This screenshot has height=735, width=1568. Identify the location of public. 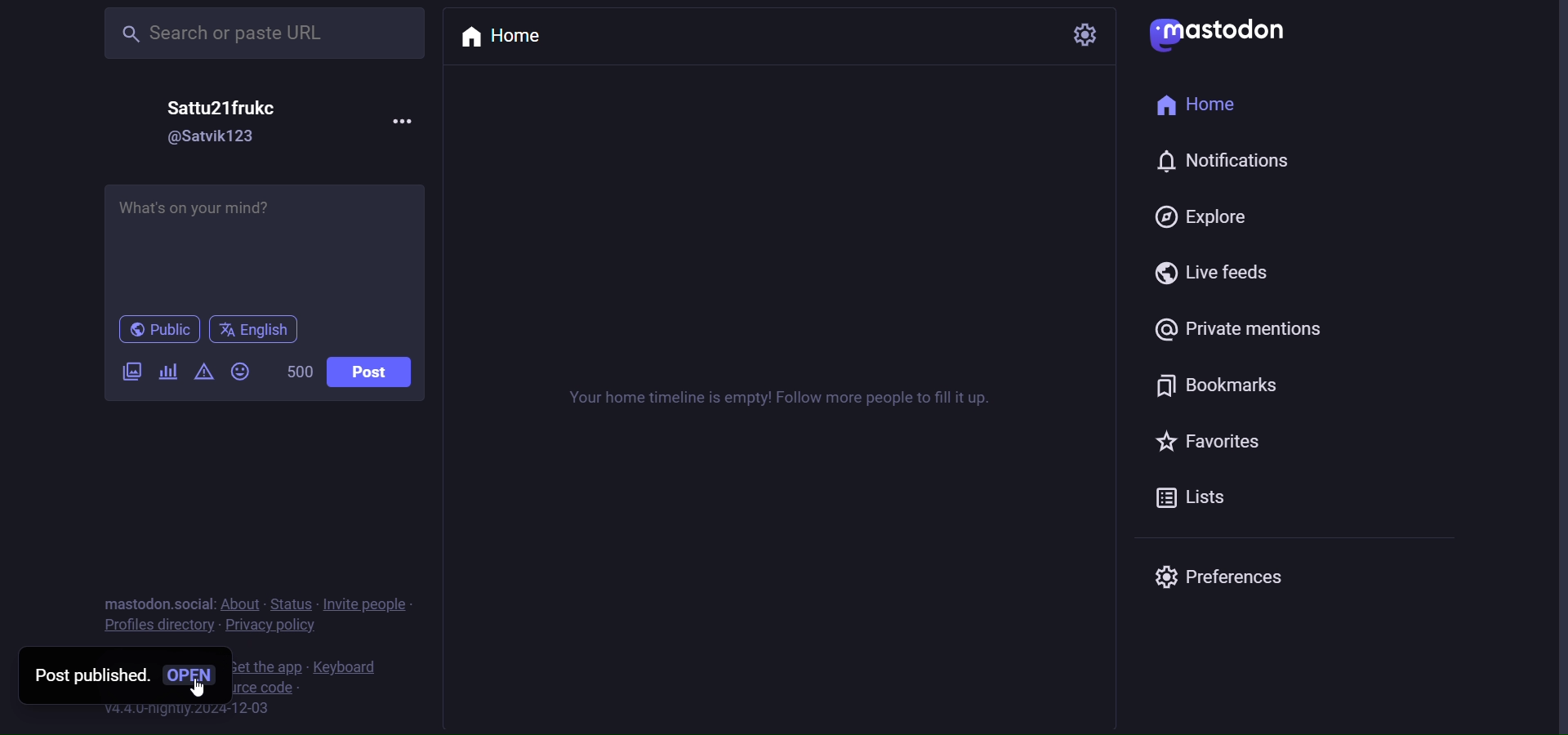
(156, 330).